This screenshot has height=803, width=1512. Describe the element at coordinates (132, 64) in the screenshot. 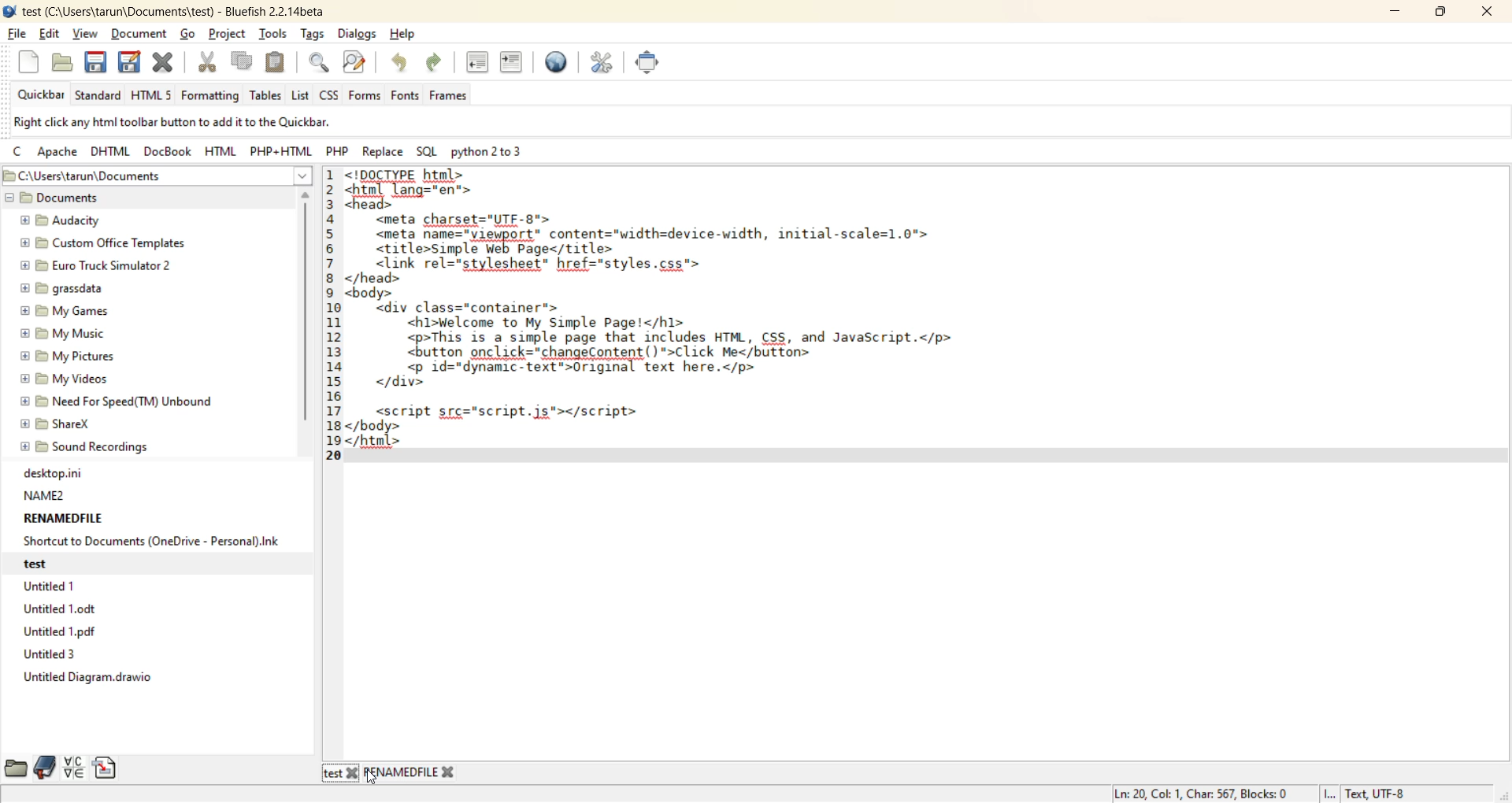

I see `save as` at that location.